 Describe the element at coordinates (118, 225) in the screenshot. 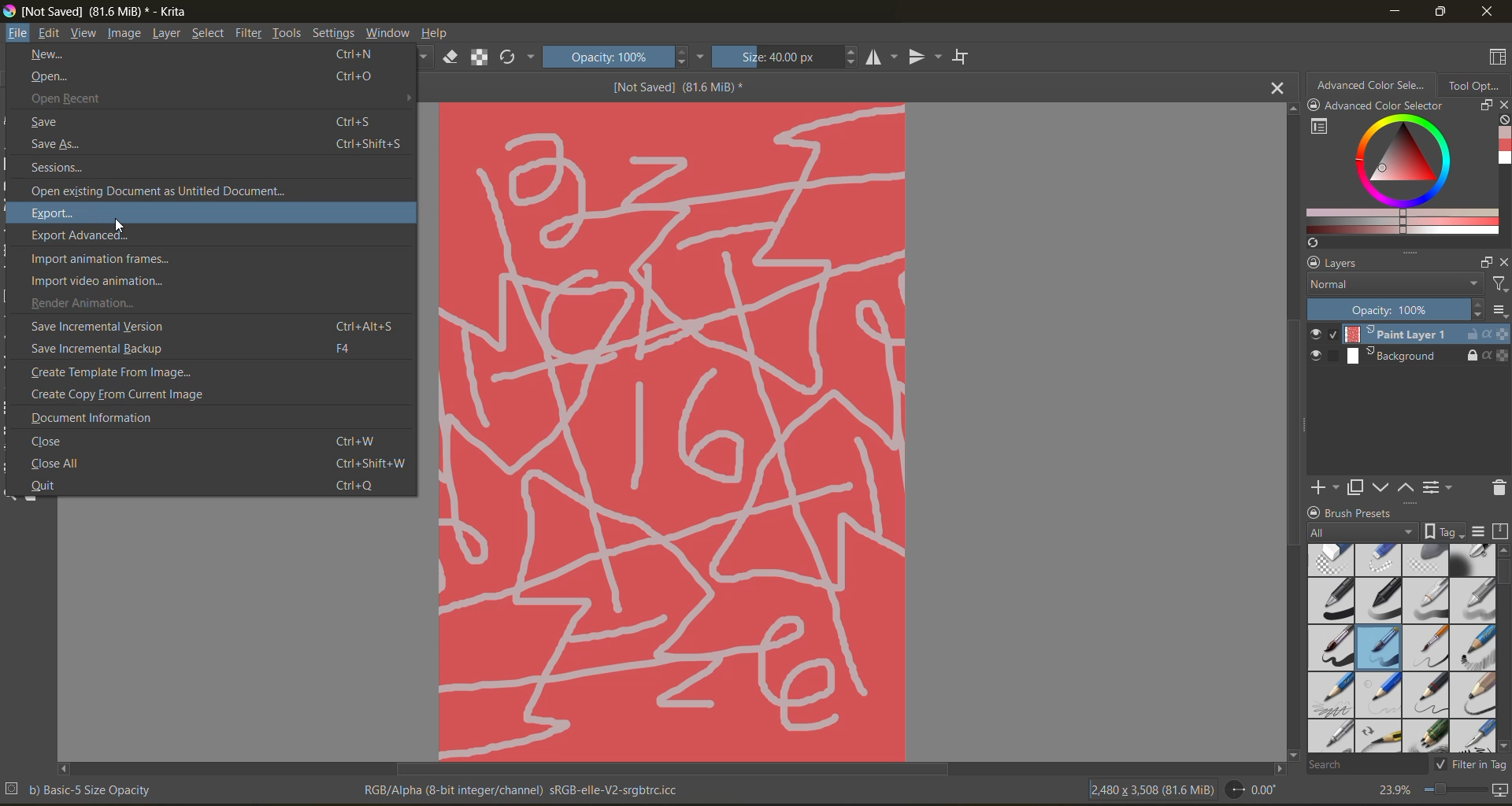

I see `Cursor` at that location.